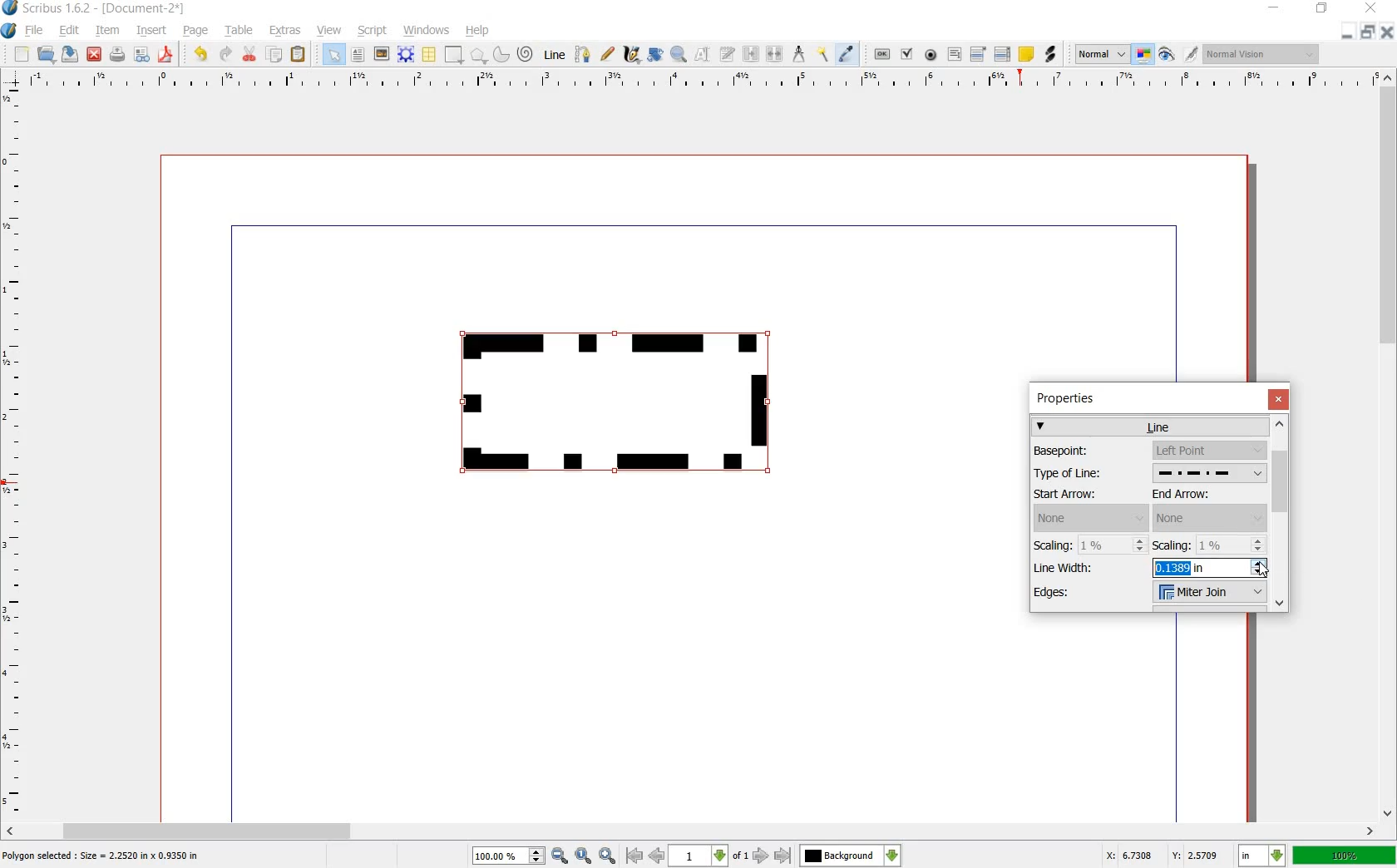 The height and width of the screenshot is (868, 1397). What do you see at coordinates (1281, 513) in the screenshot?
I see `scrollbar` at bounding box center [1281, 513].